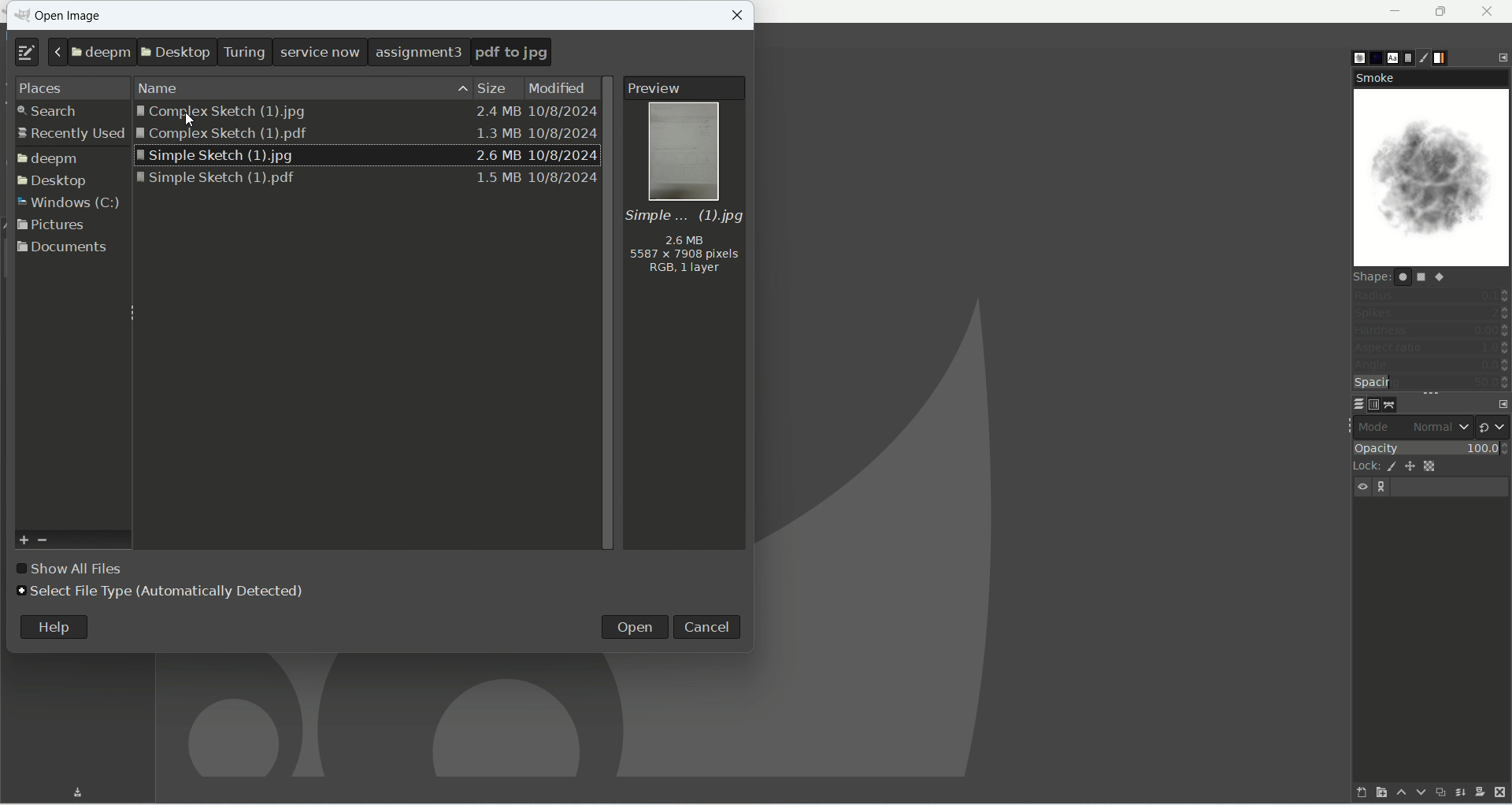 Image resolution: width=1512 pixels, height=805 pixels. What do you see at coordinates (256, 52) in the screenshot?
I see `location` at bounding box center [256, 52].